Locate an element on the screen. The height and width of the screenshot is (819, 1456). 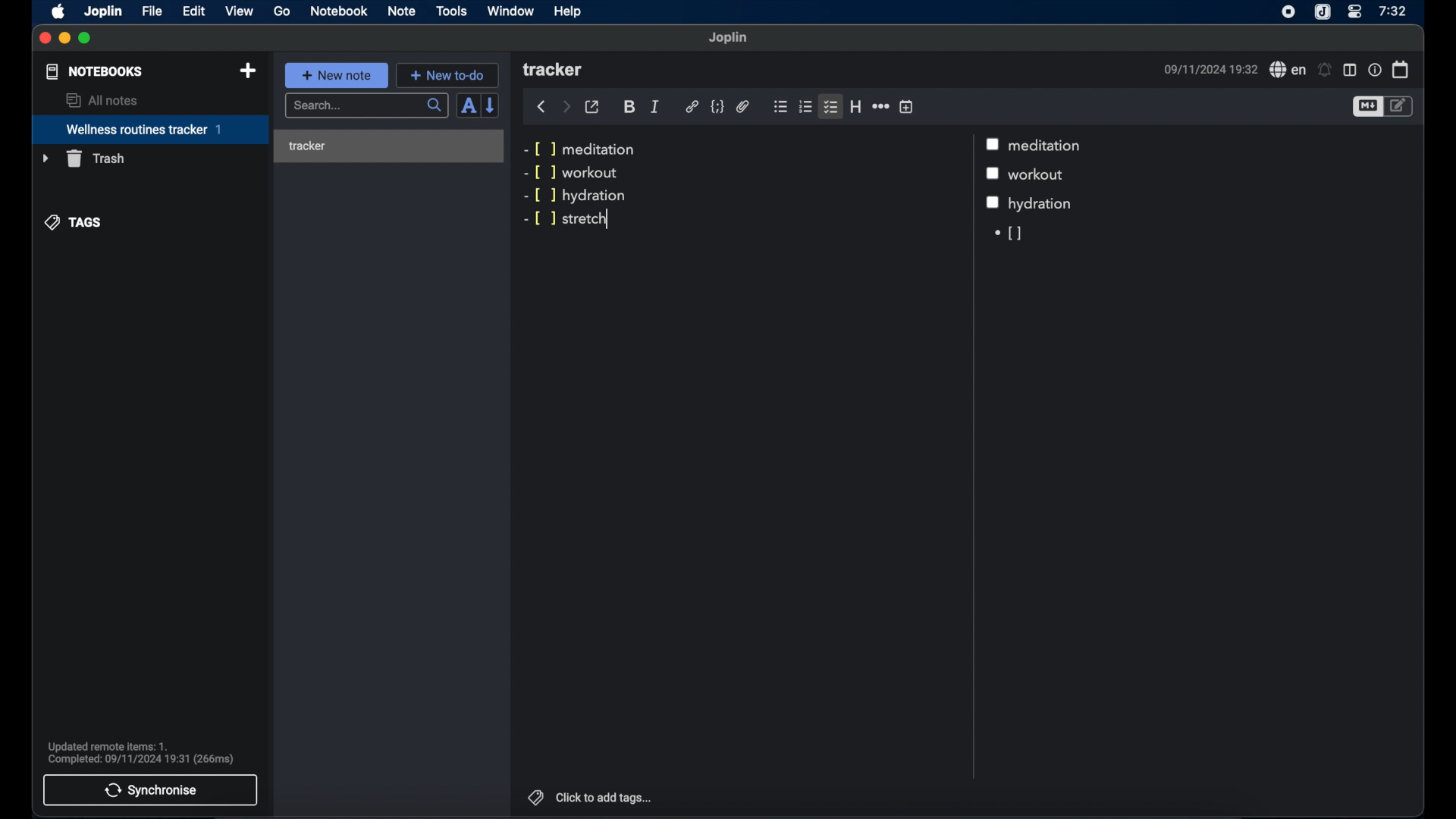
all notes is located at coordinates (101, 100).